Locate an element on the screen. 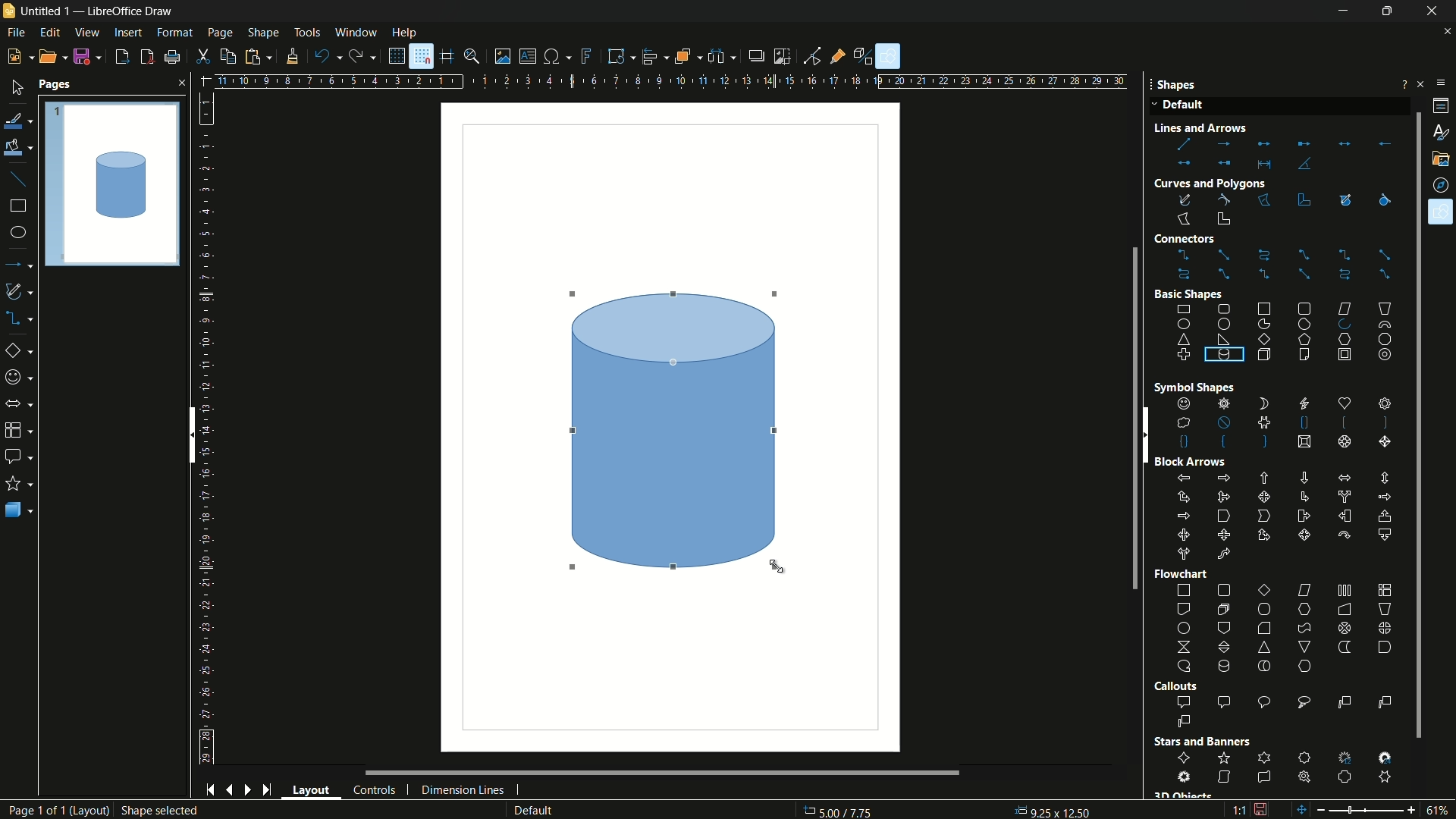 This screenshot has width=1456, height=819. print is located at coordinates (171, 58).